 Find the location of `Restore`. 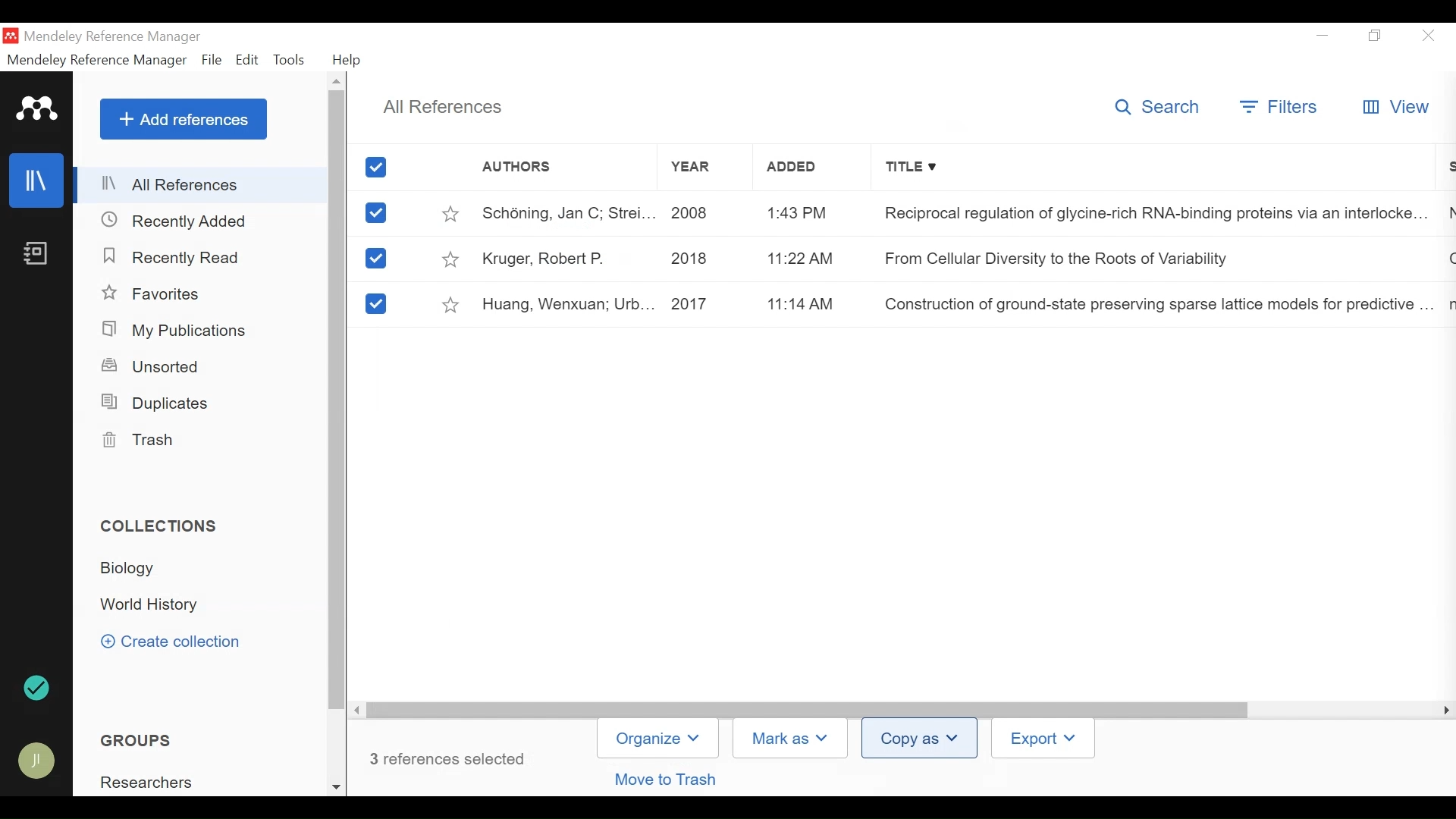

Restore is located at coordinates (1376, 36).